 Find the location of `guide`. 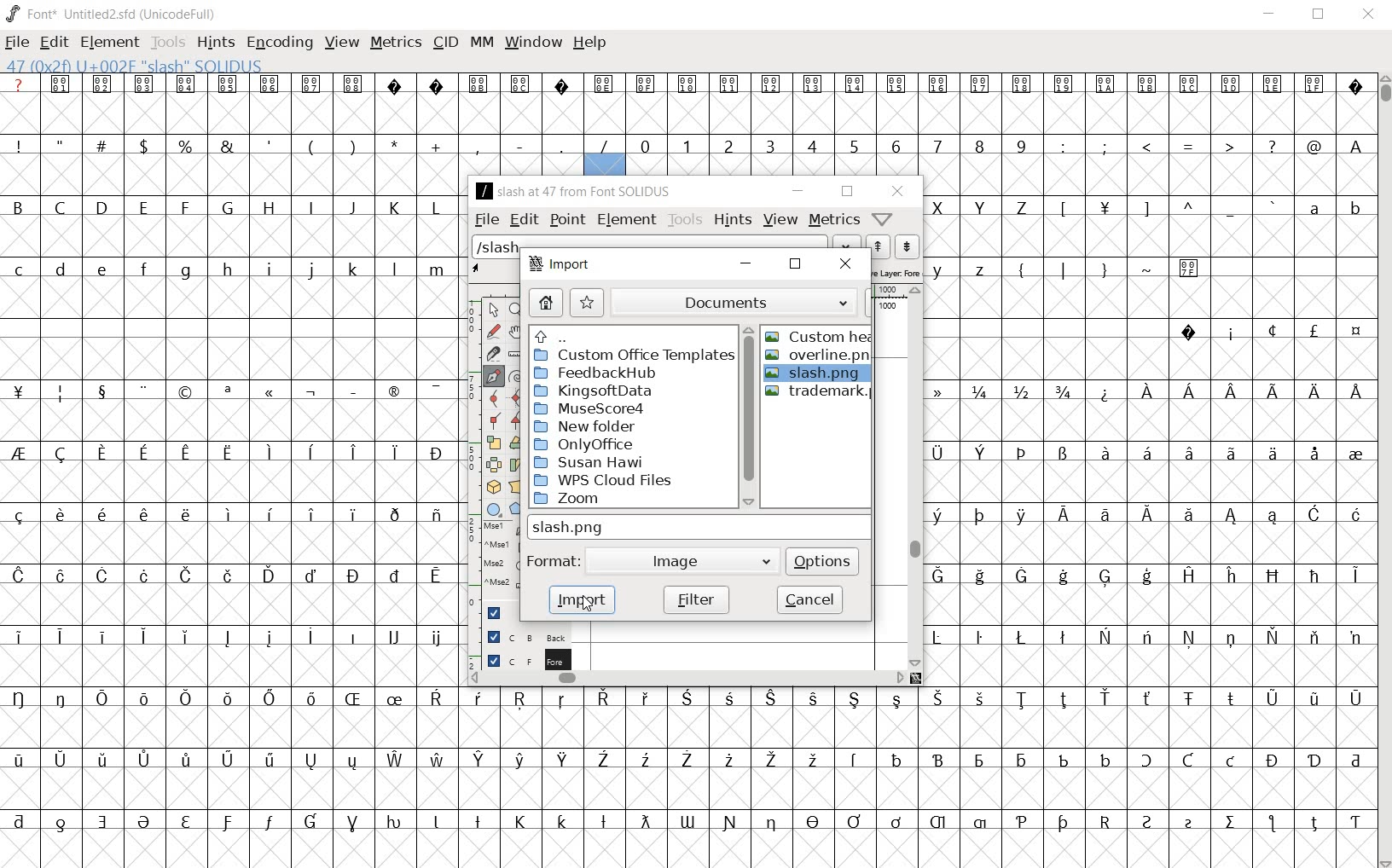

guide is located at coordinates (494, 610).